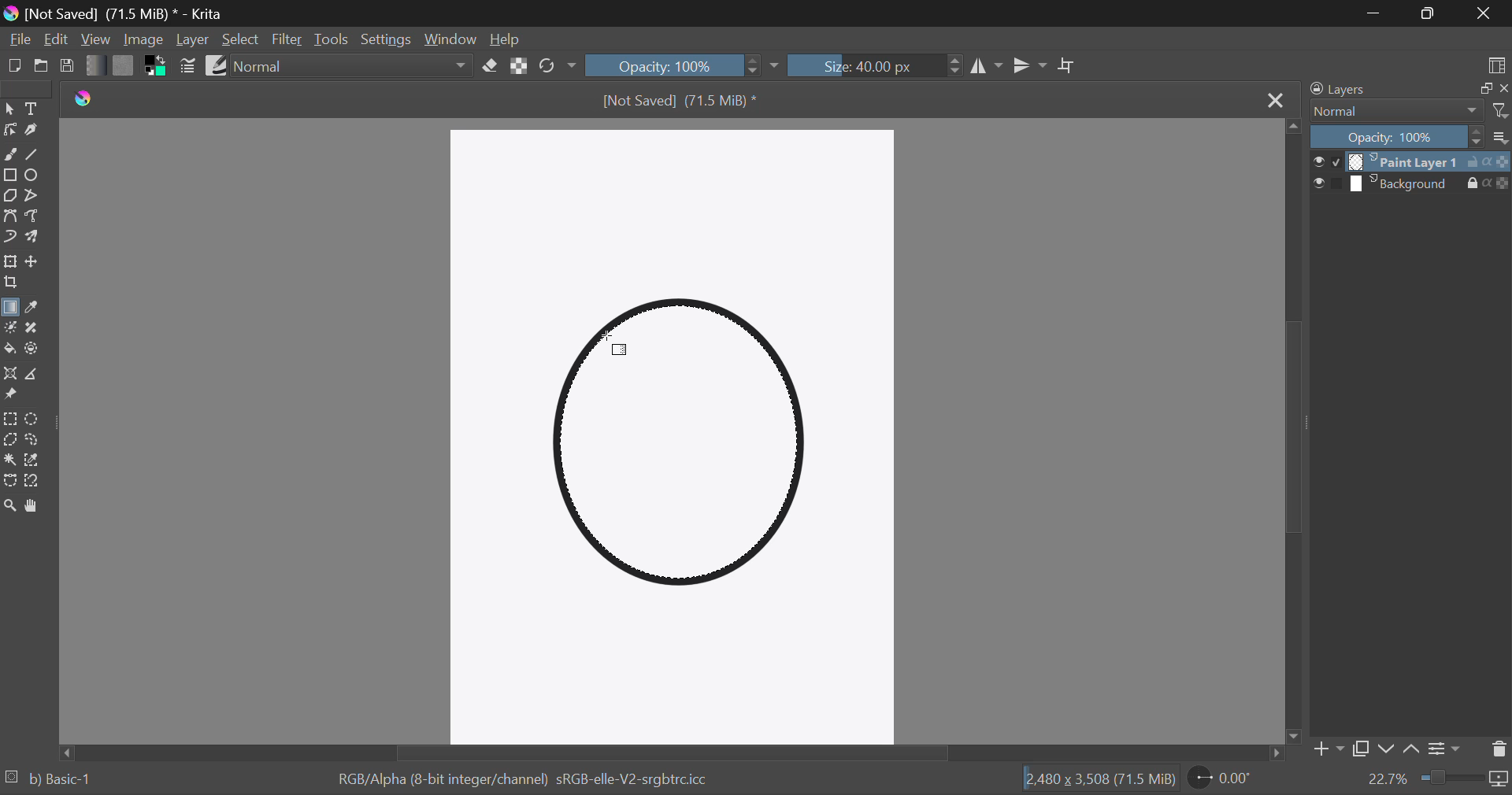  Describe the element at coordinates (36, 198) in the screenshot. I see `Polyline` at that location.